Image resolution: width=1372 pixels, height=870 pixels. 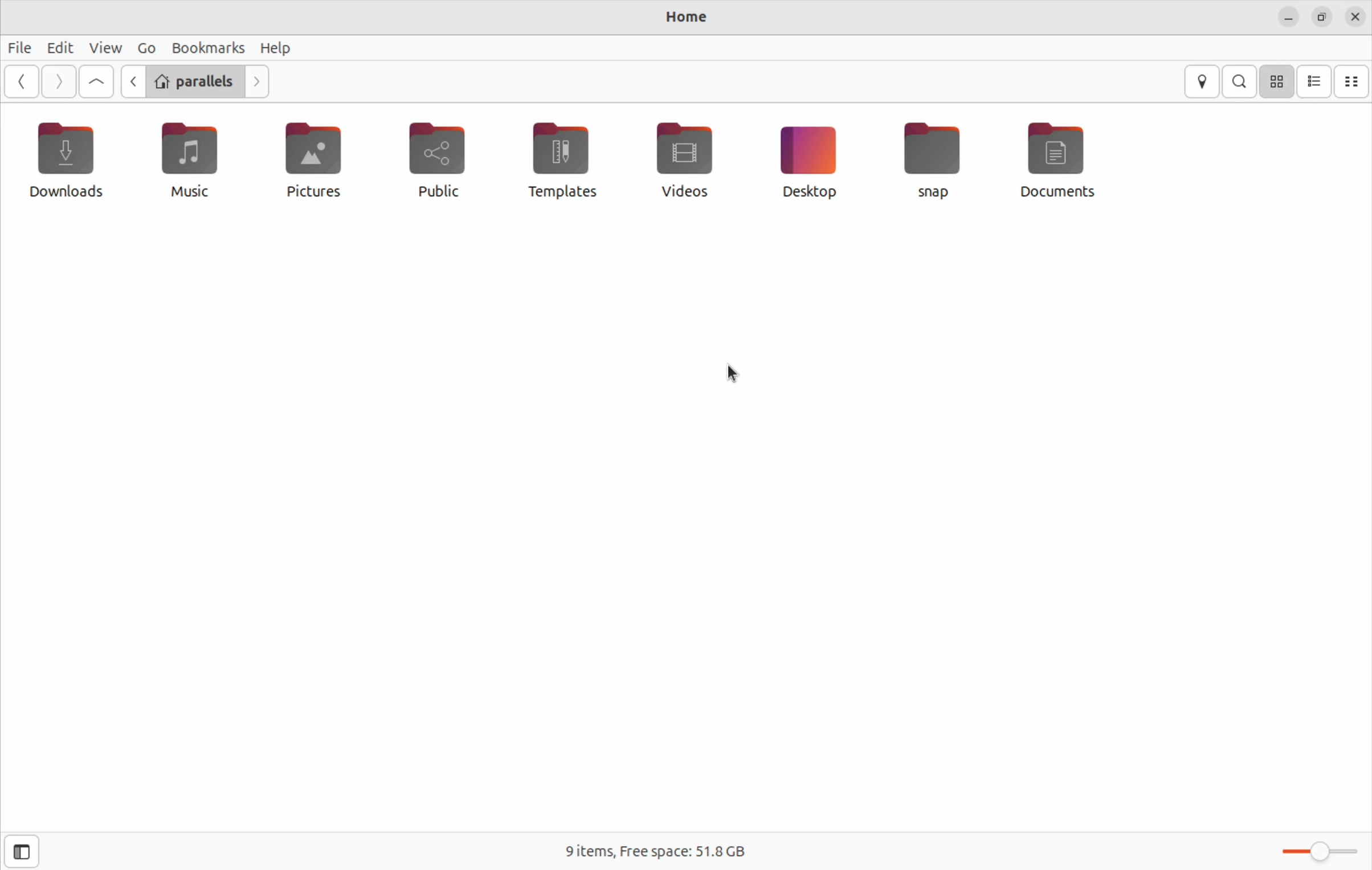 I want to click on go back ward, so click(x=23, y=82).